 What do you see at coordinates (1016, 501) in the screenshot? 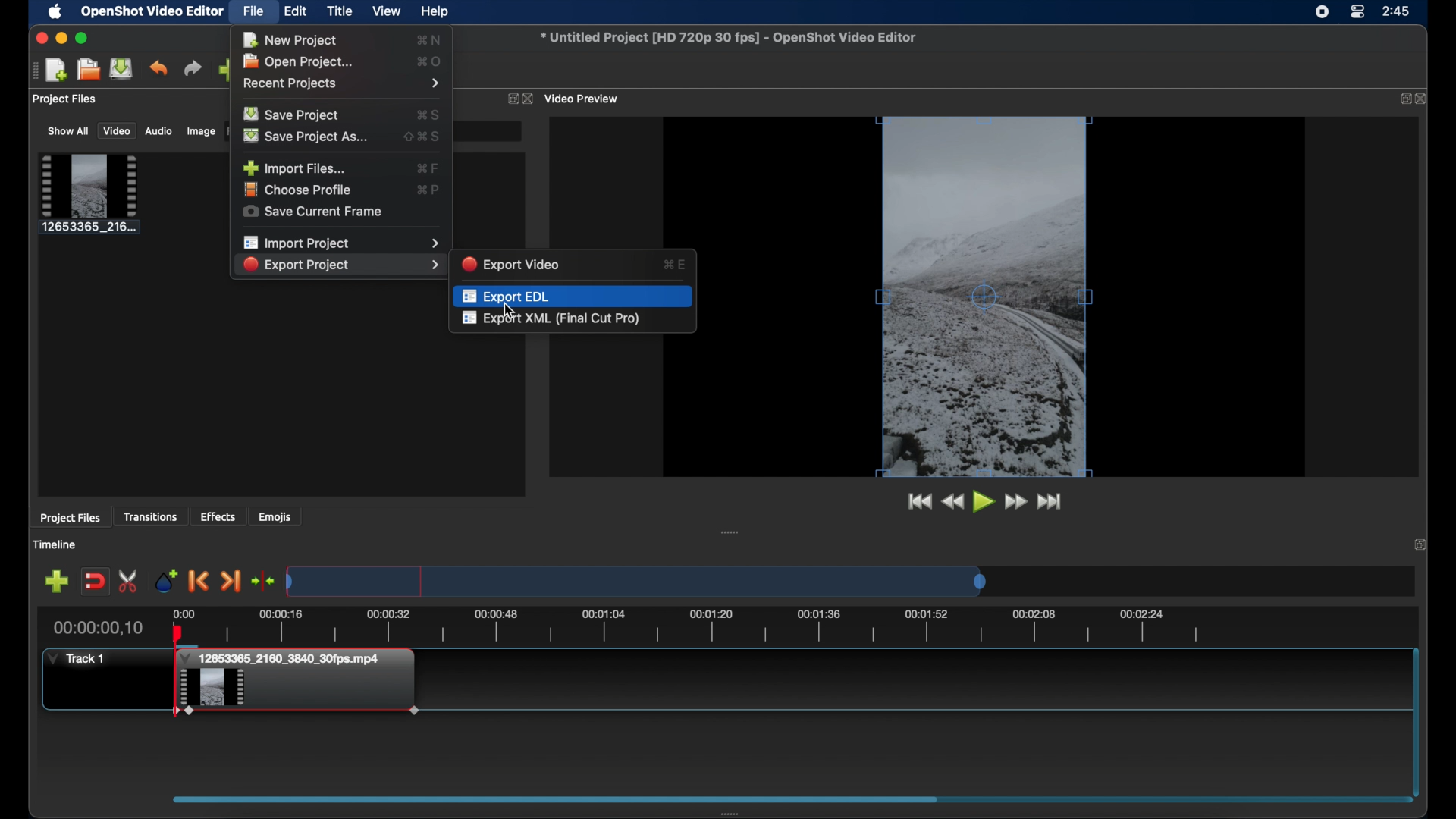
I see `fast forward` at bounding box center [1016, 501].